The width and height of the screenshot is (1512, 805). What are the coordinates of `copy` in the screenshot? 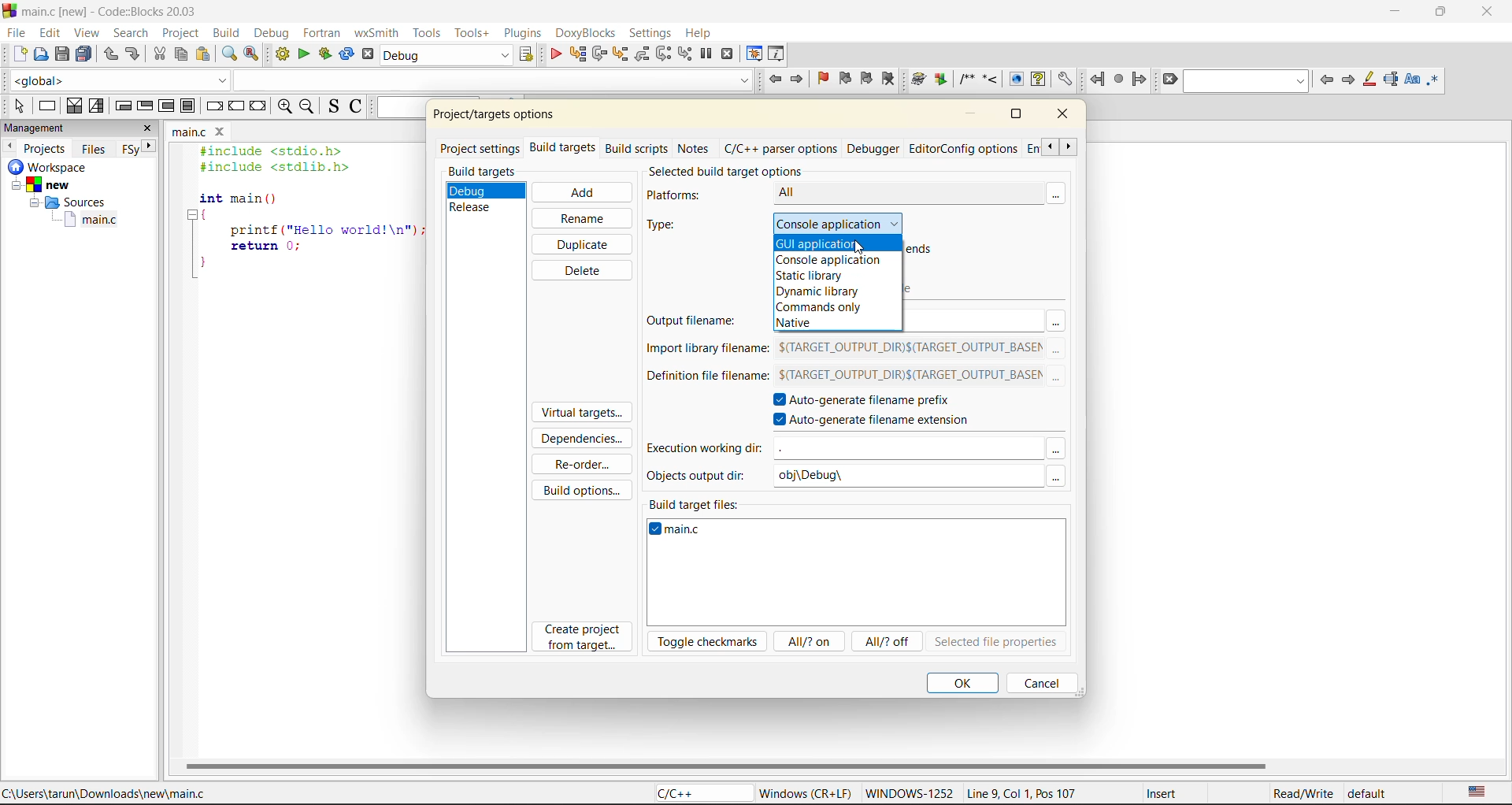 It's located at (182, 54).